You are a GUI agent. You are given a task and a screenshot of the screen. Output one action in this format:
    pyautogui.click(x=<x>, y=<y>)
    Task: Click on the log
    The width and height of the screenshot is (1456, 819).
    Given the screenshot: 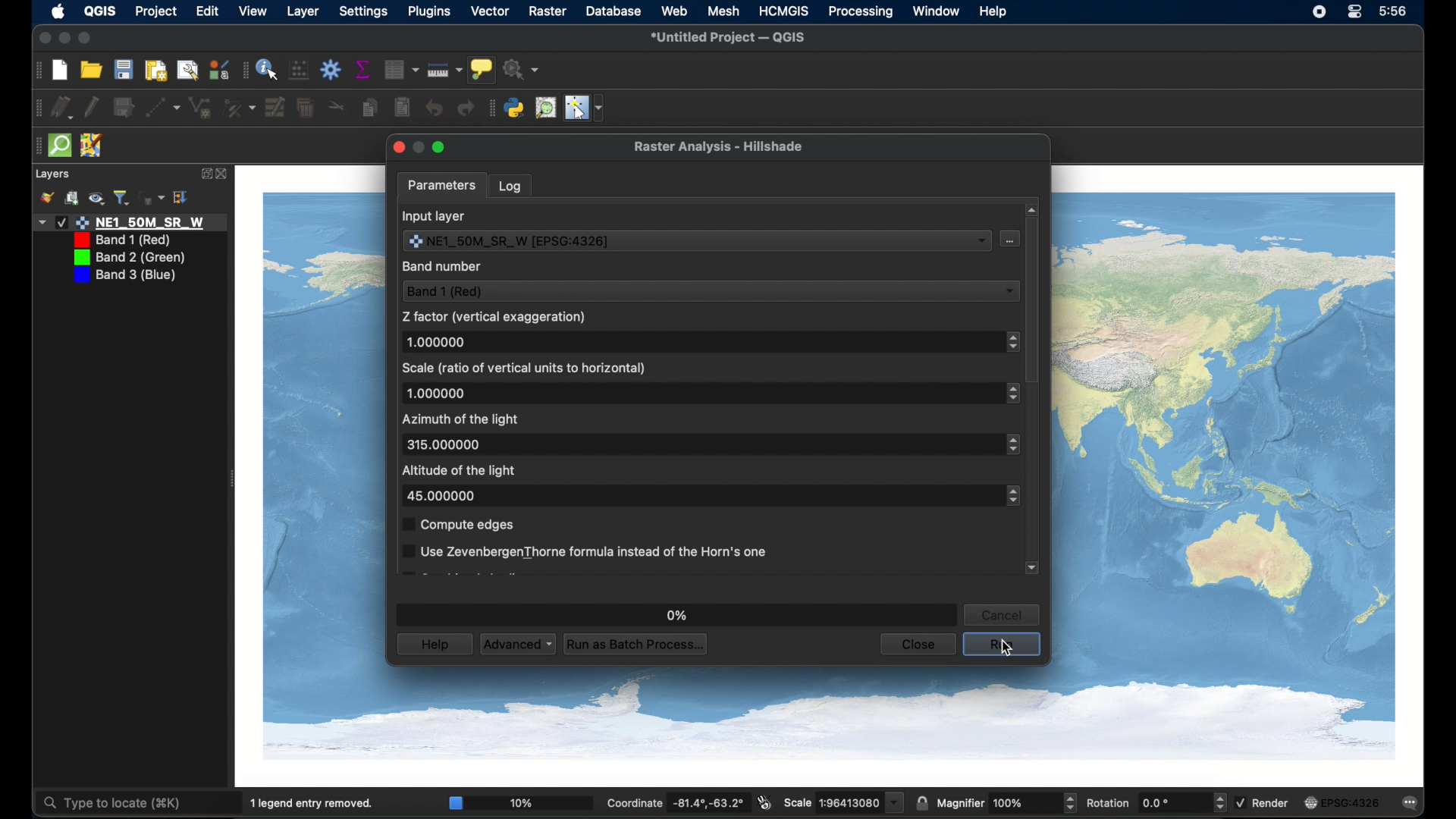 What is the action you would take?
    pyautogui.click(x=510, y=184)
    